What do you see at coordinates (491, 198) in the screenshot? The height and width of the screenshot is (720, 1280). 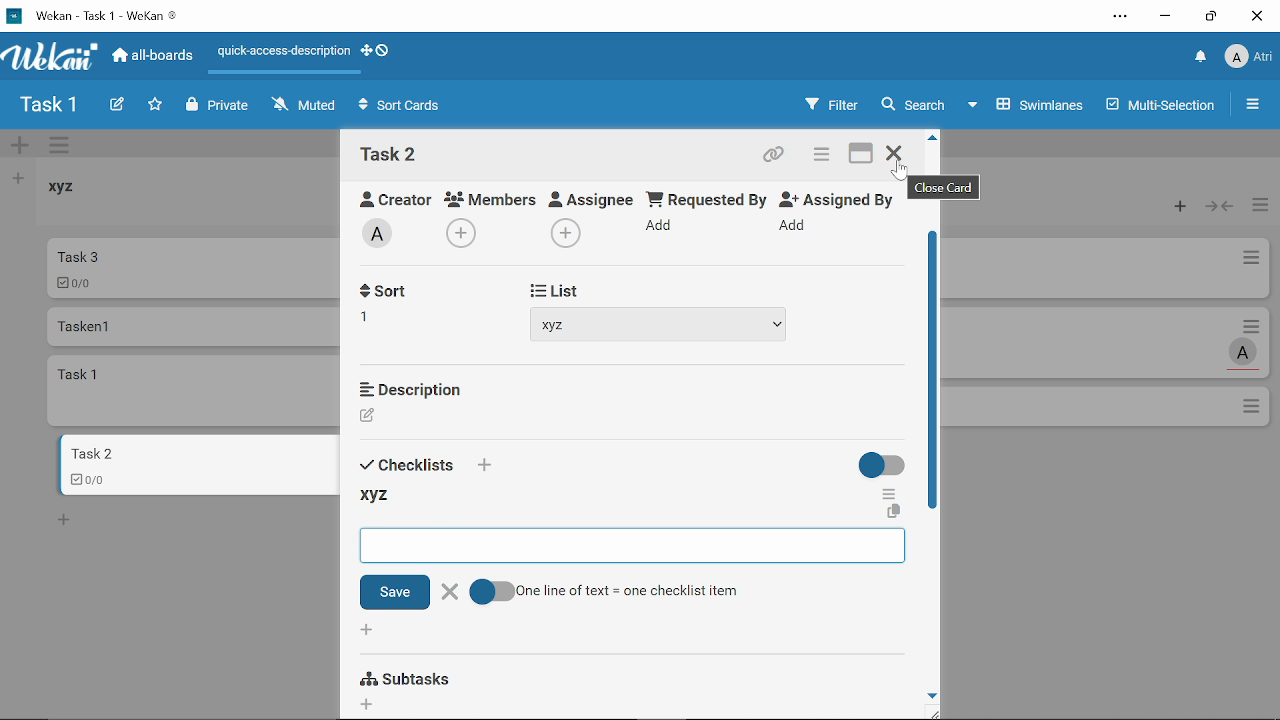 I see `Members` at bounding box center [491, 198].